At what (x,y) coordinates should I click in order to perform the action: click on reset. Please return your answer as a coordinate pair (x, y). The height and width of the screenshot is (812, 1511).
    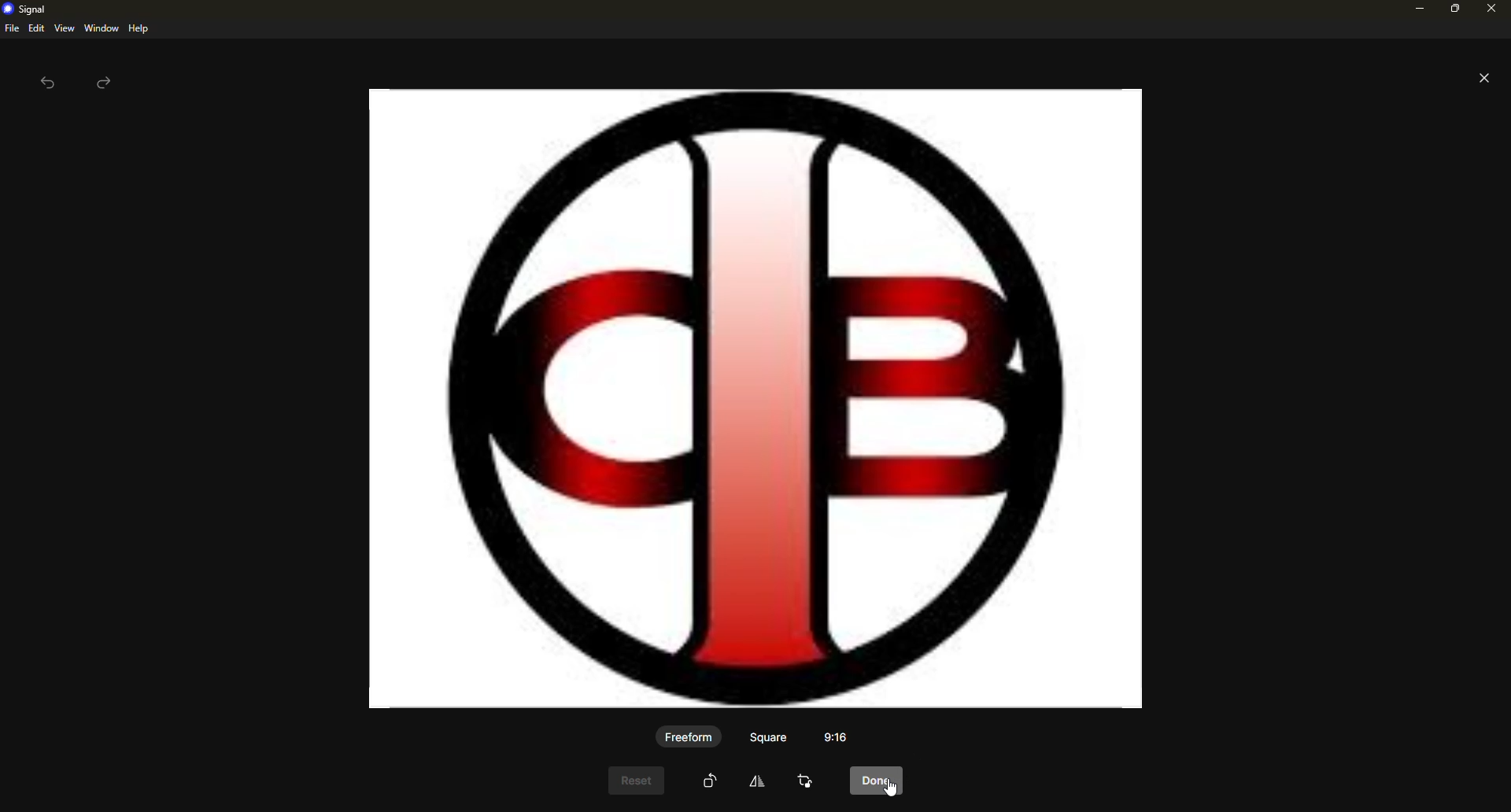
    Looking at the image, I should click on (635, 781).